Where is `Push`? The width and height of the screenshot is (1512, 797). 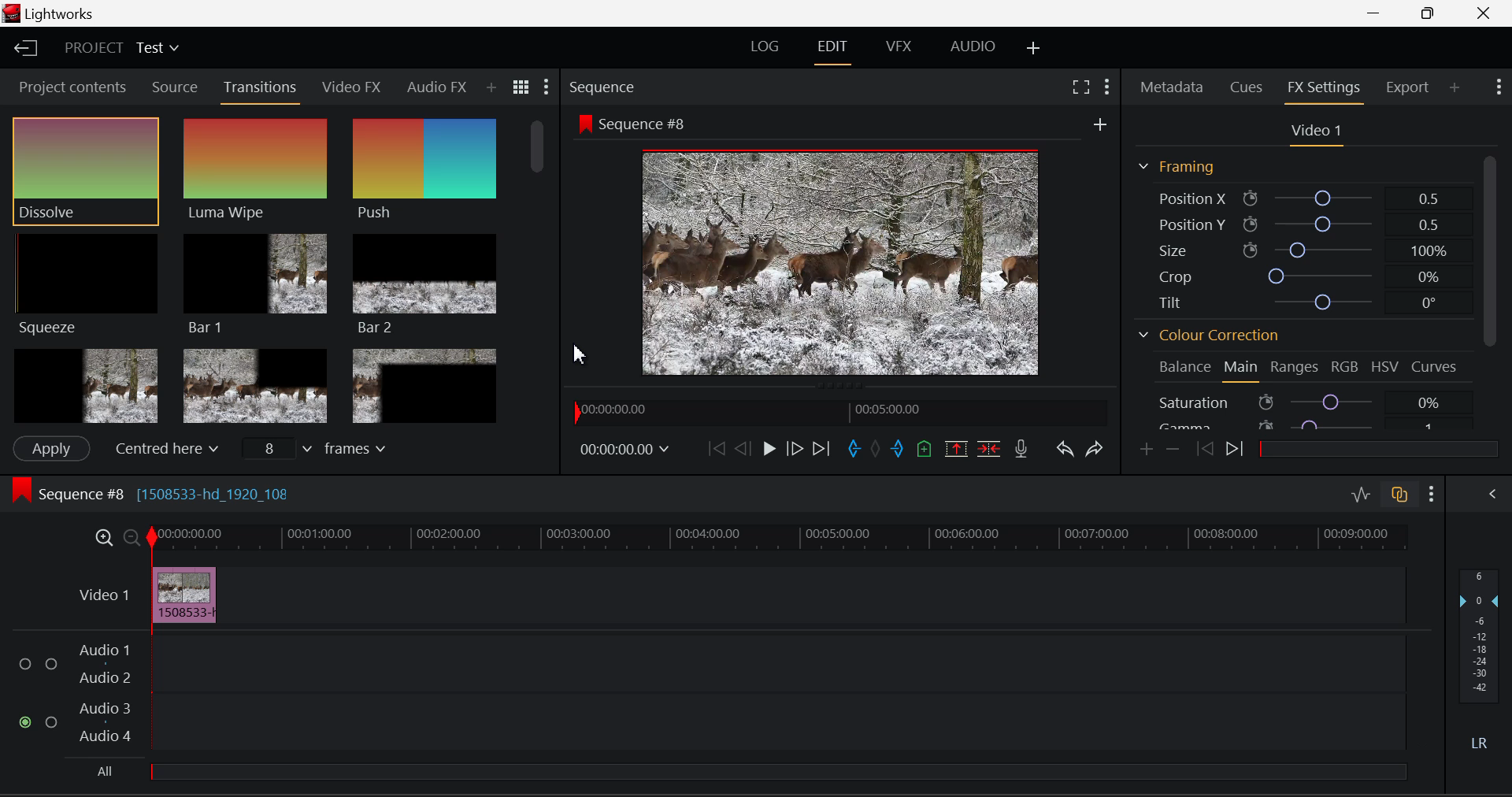
Push is located at coordinates (422, 170).